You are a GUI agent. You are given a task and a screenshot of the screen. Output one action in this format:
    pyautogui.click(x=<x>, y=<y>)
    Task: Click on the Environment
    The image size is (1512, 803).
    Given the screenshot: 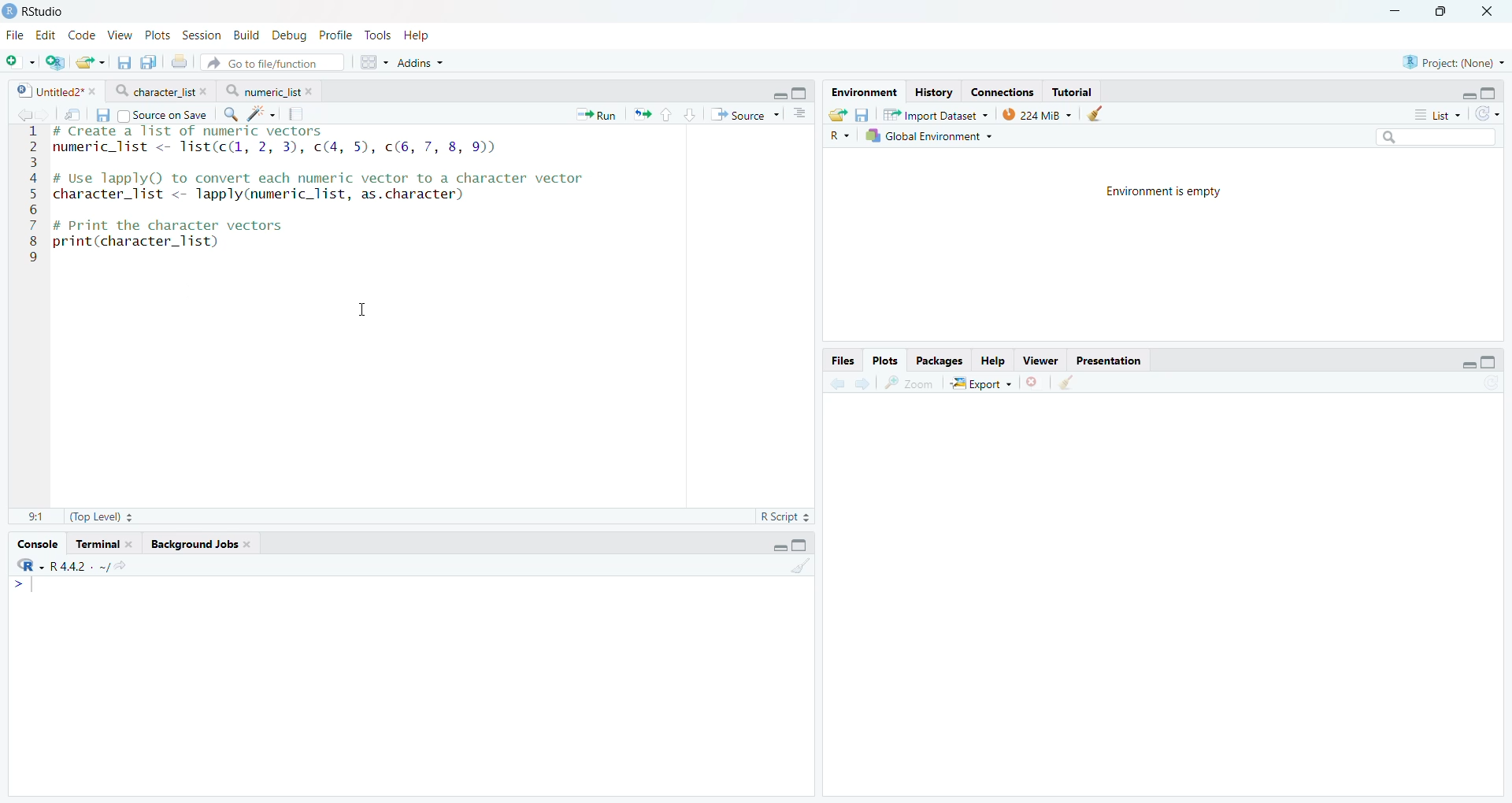 What is the action you would take?
    pyautogui.click(x=863, y=91)
    